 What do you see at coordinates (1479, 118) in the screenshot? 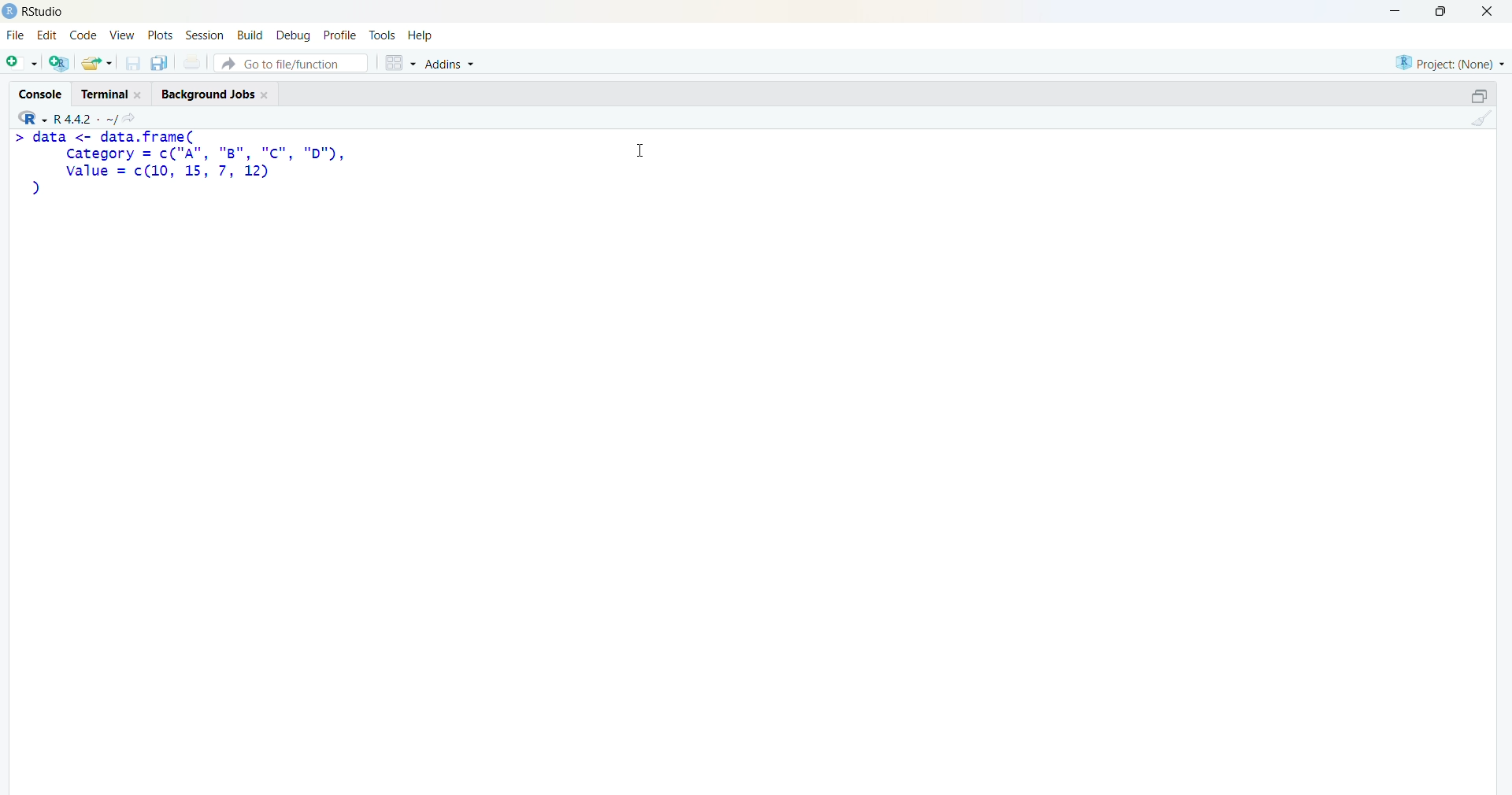
I see `clear console` at bounding box center [1479, 118].